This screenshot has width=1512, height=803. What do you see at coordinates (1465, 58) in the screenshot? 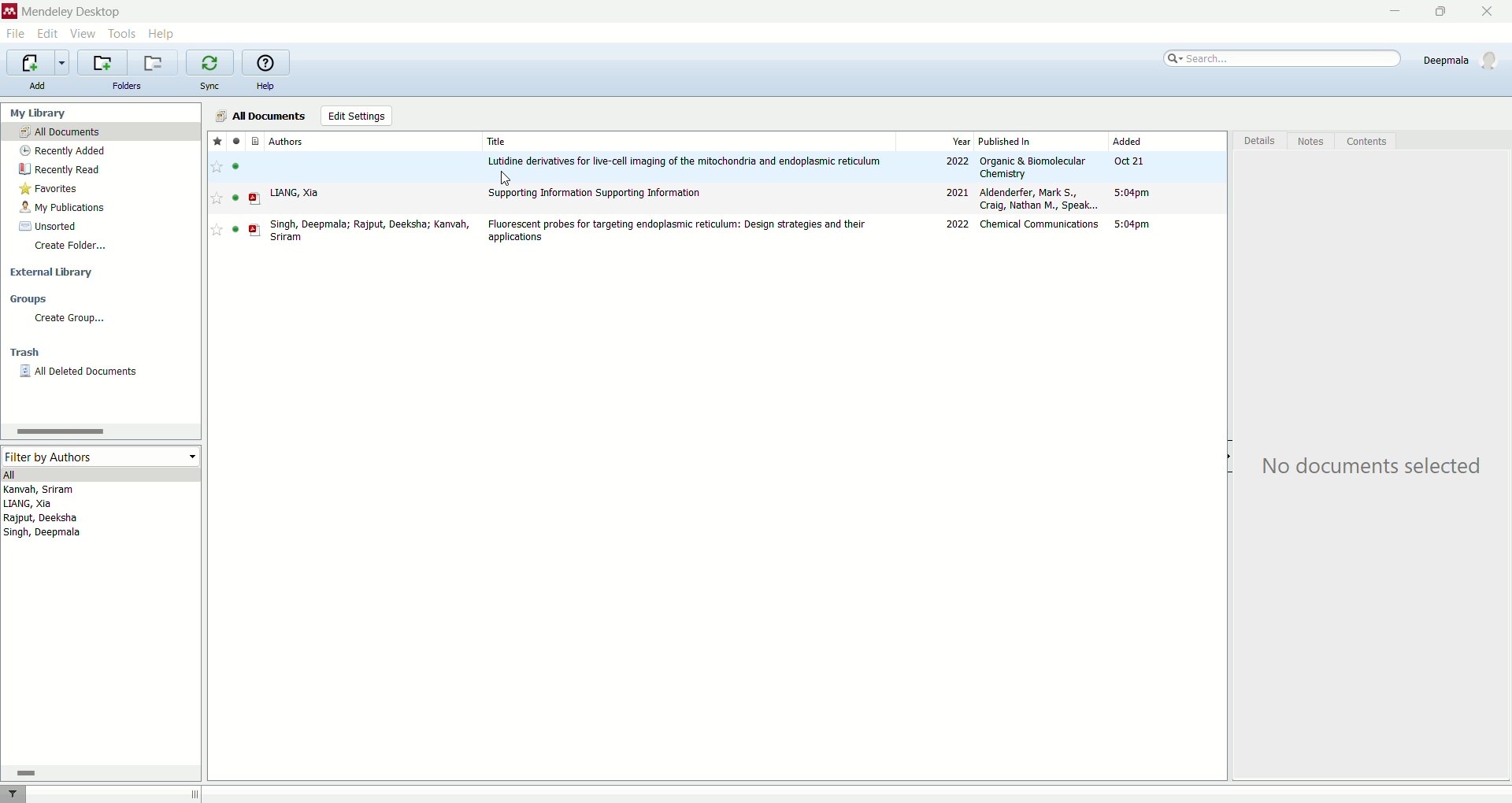
I see `account` at bounding box center [1465, 58].